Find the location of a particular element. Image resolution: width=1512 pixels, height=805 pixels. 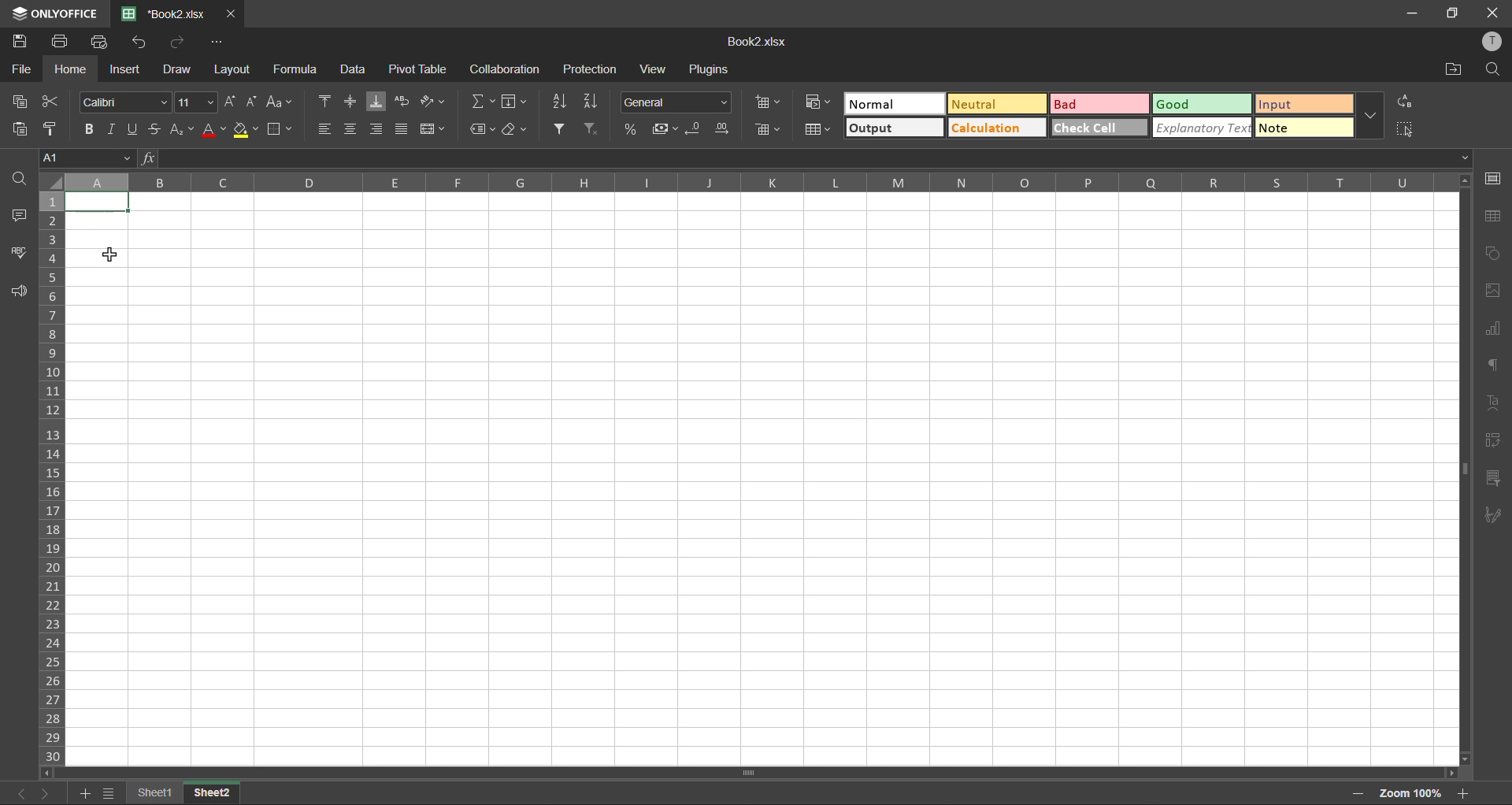

close tab is located at coordinates (229, 16).